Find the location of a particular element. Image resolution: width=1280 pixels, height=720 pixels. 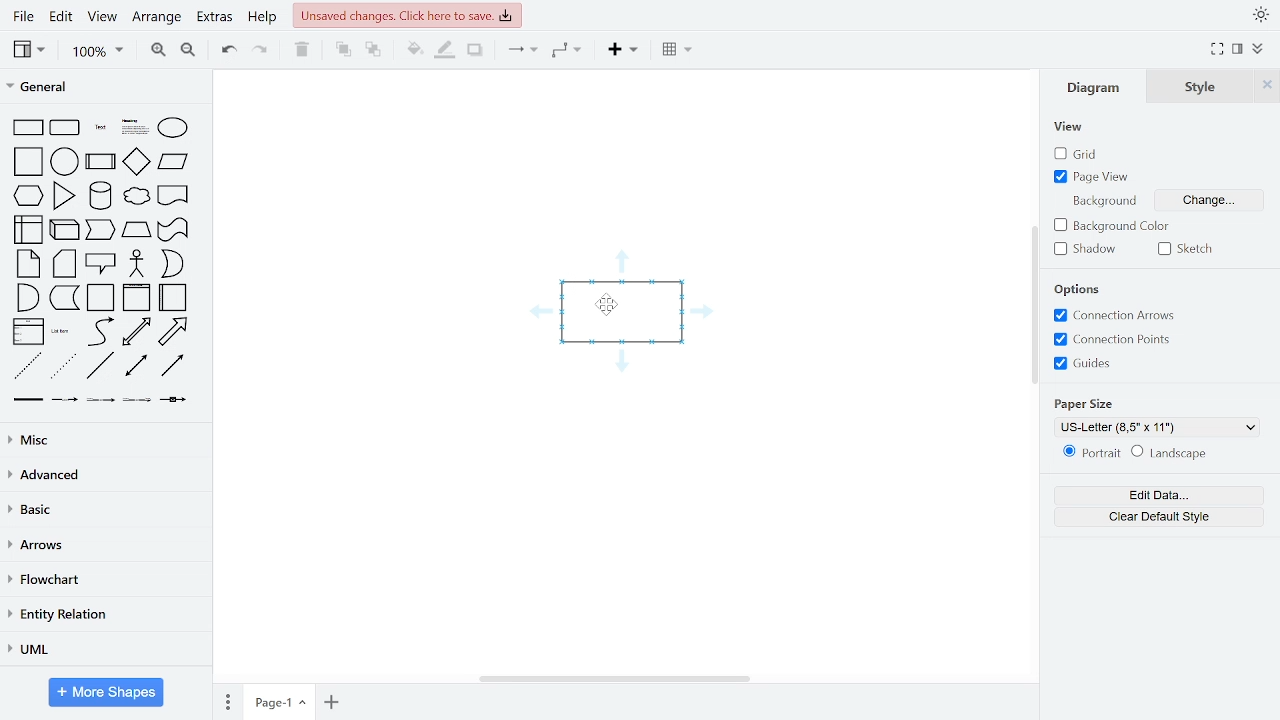

container is located at coordinates (99, 298).